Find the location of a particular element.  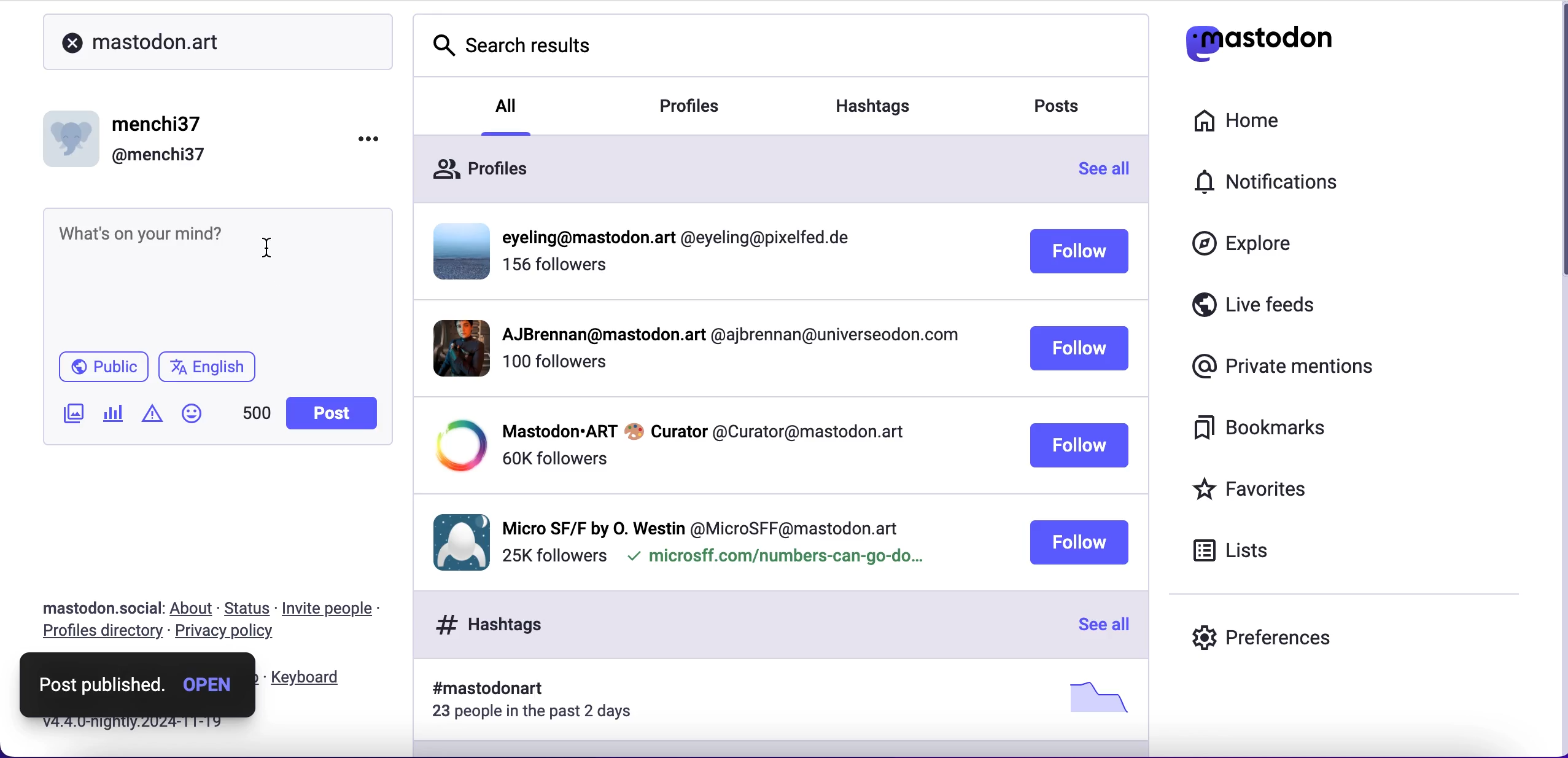

profiles is located at coordinates (488, 166).